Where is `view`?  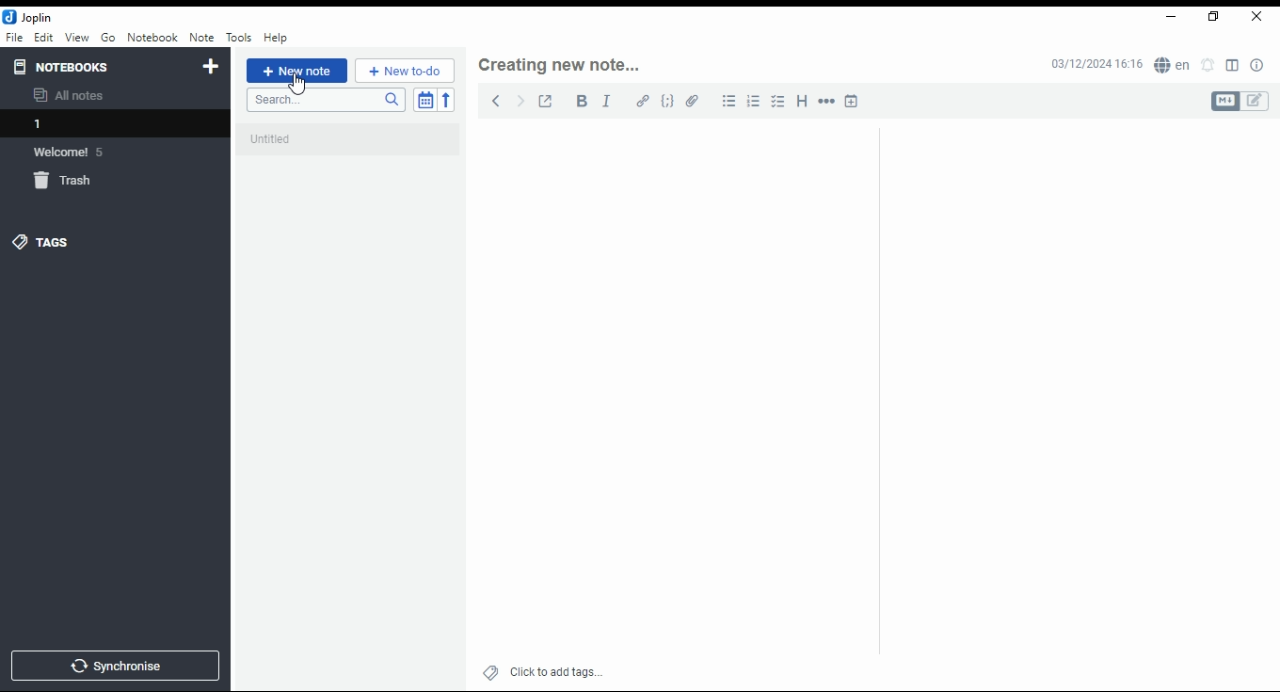
view is located at coordinates (77, 38).